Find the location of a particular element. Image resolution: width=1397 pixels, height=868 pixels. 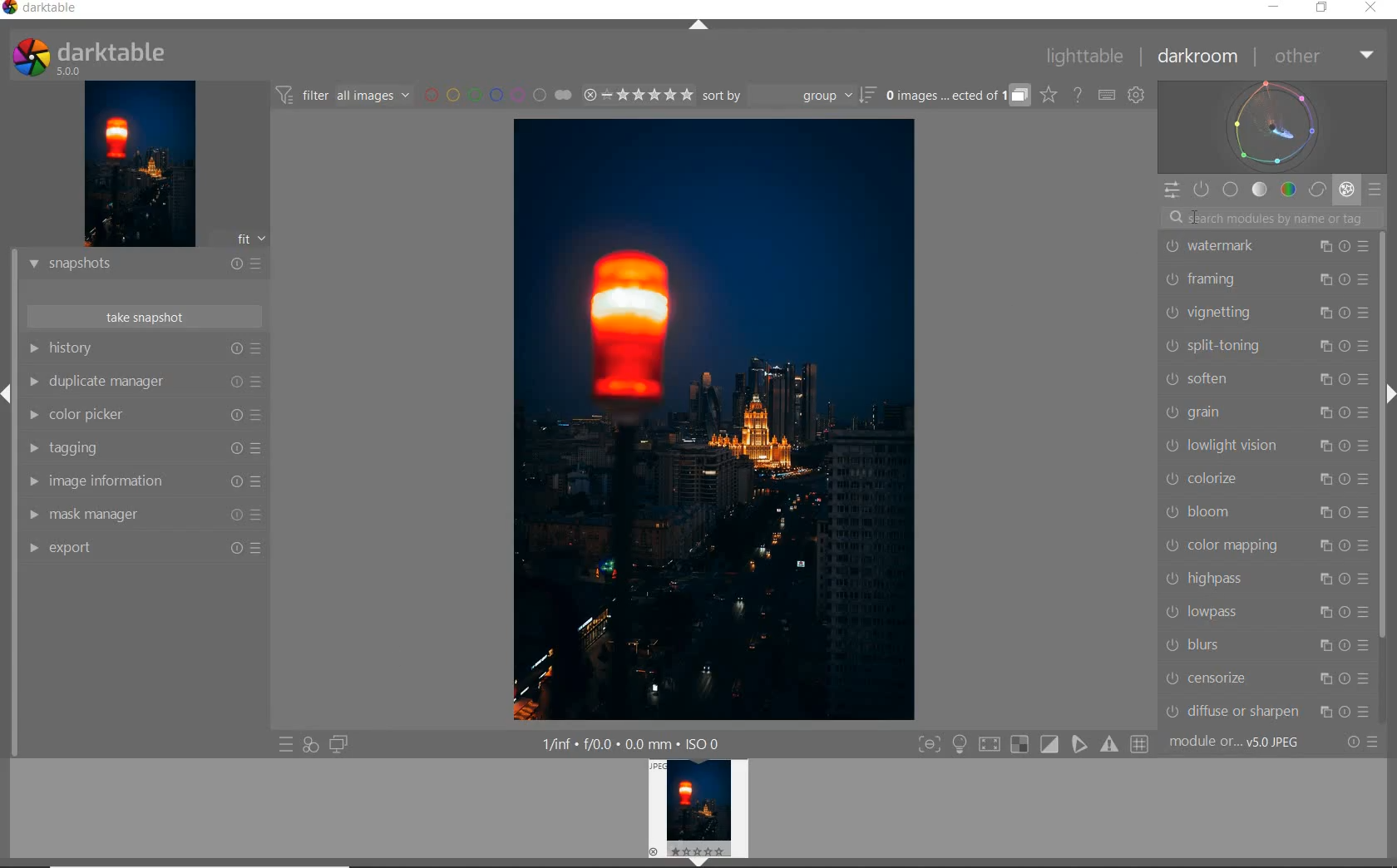

Preset and reset is located at coordinates (260, 417).